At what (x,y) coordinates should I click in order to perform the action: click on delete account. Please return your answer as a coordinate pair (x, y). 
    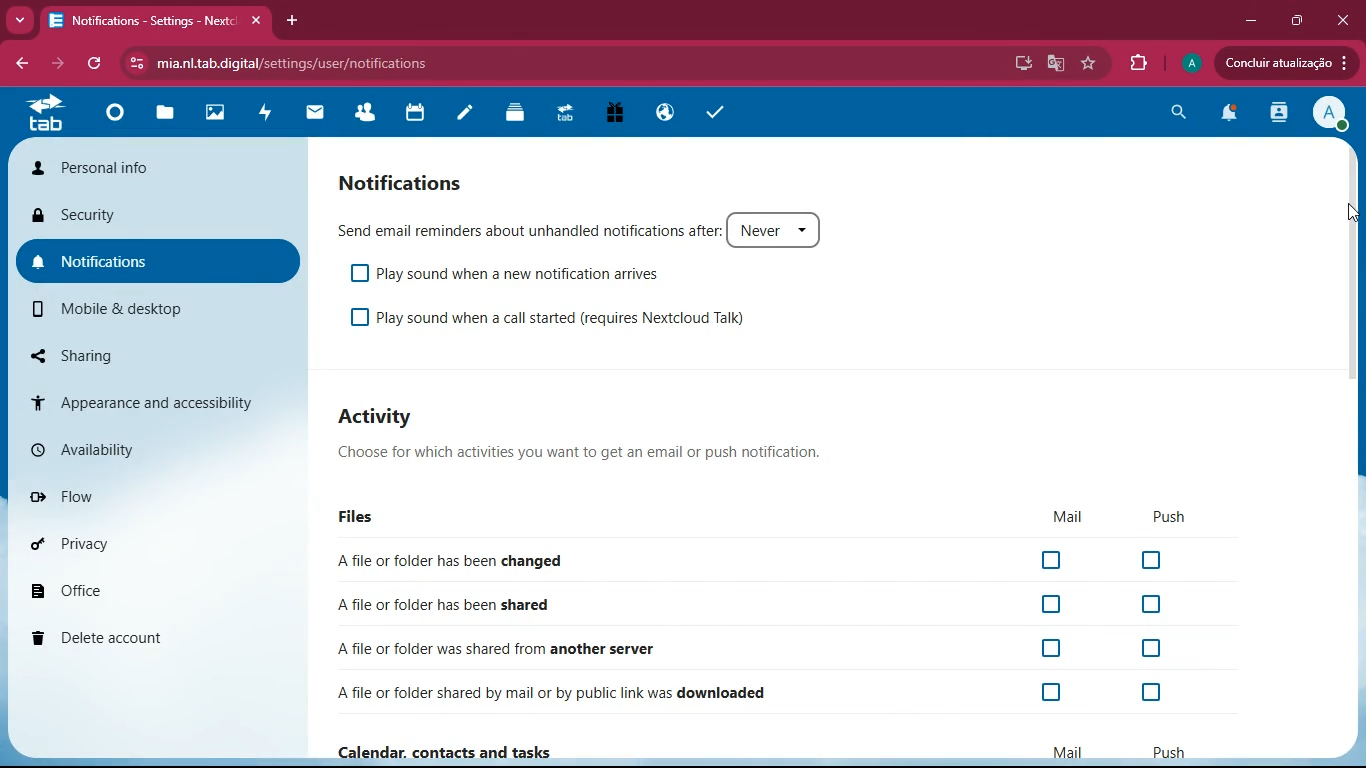
    Looking at the image, I should click on (158, 637).